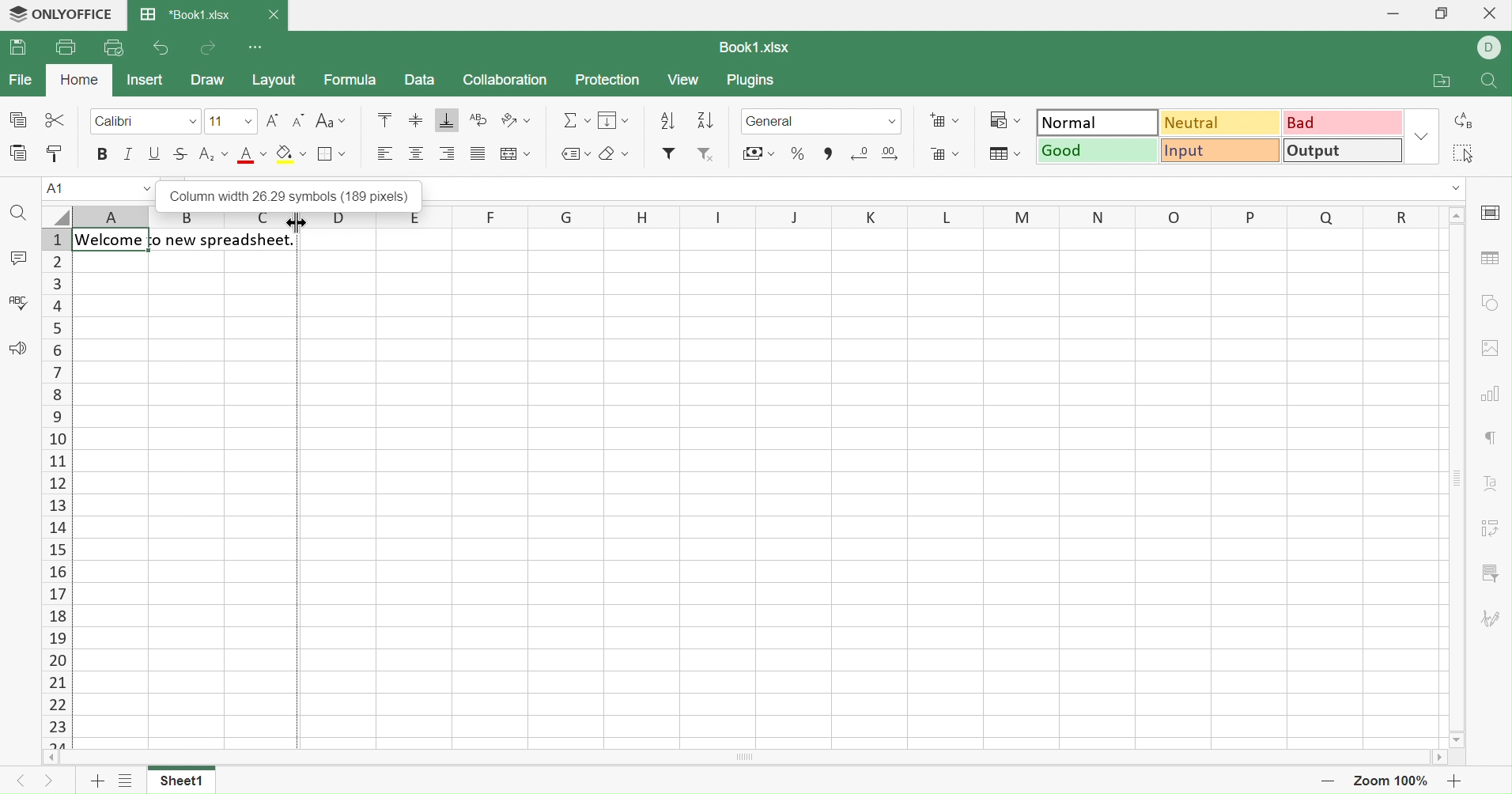 This screenshot has width=1512, height=794. I want to click on Align Bottom, so click(446, 121).